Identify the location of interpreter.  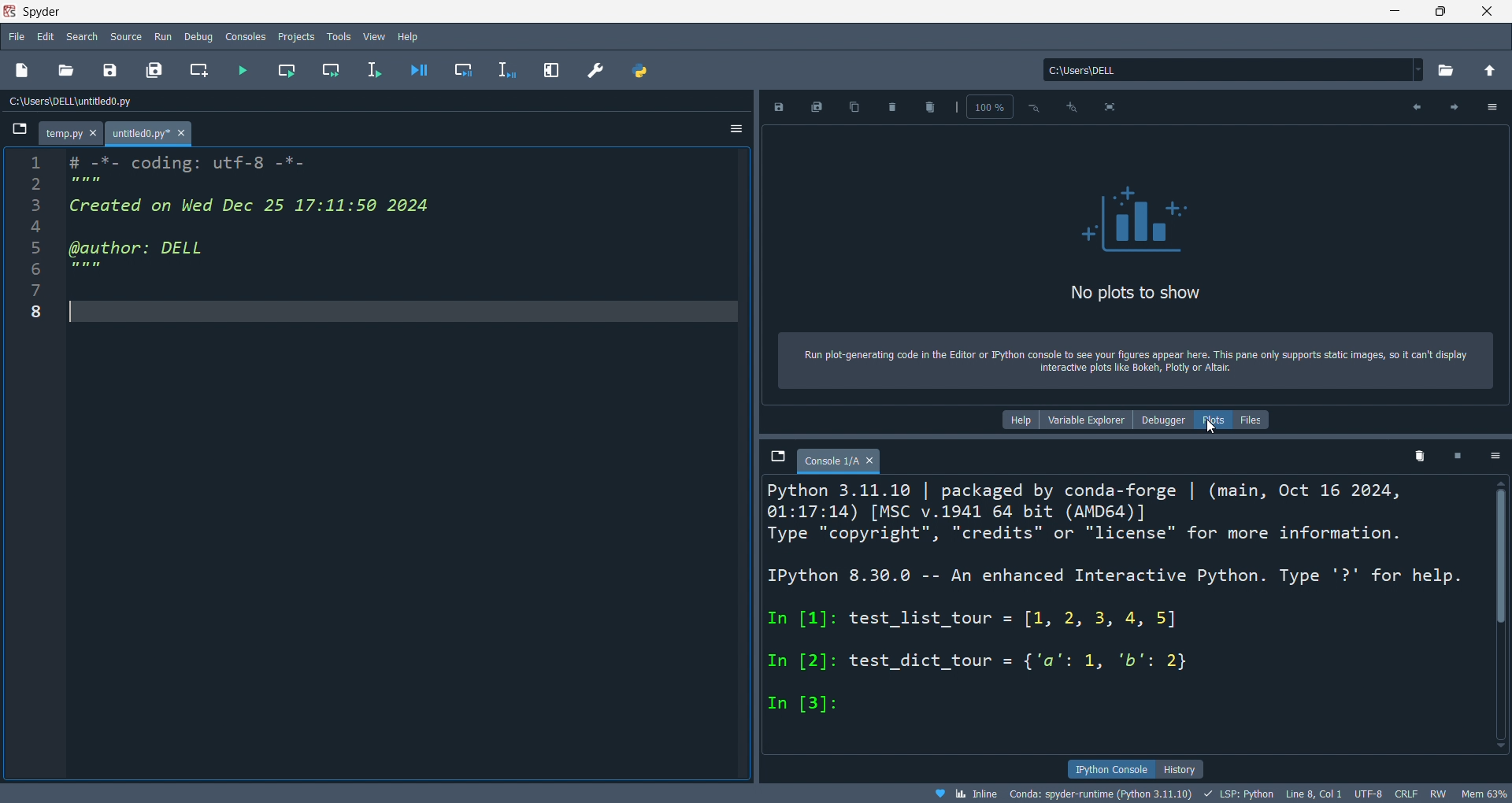
(1099, 793).